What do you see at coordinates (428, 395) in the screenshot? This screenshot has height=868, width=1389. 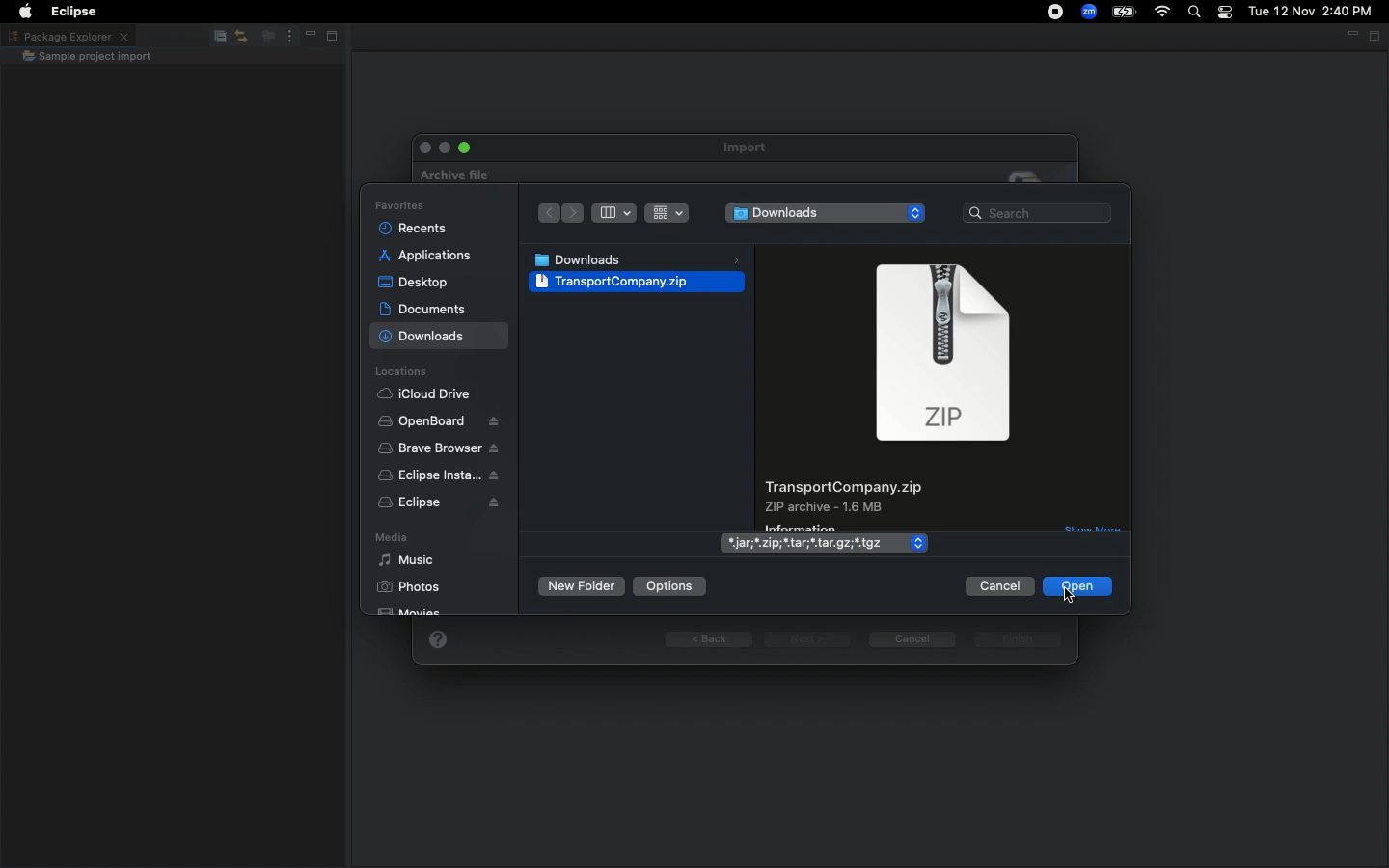 I see `iCloud Drive` at bounding box center [428, 395].